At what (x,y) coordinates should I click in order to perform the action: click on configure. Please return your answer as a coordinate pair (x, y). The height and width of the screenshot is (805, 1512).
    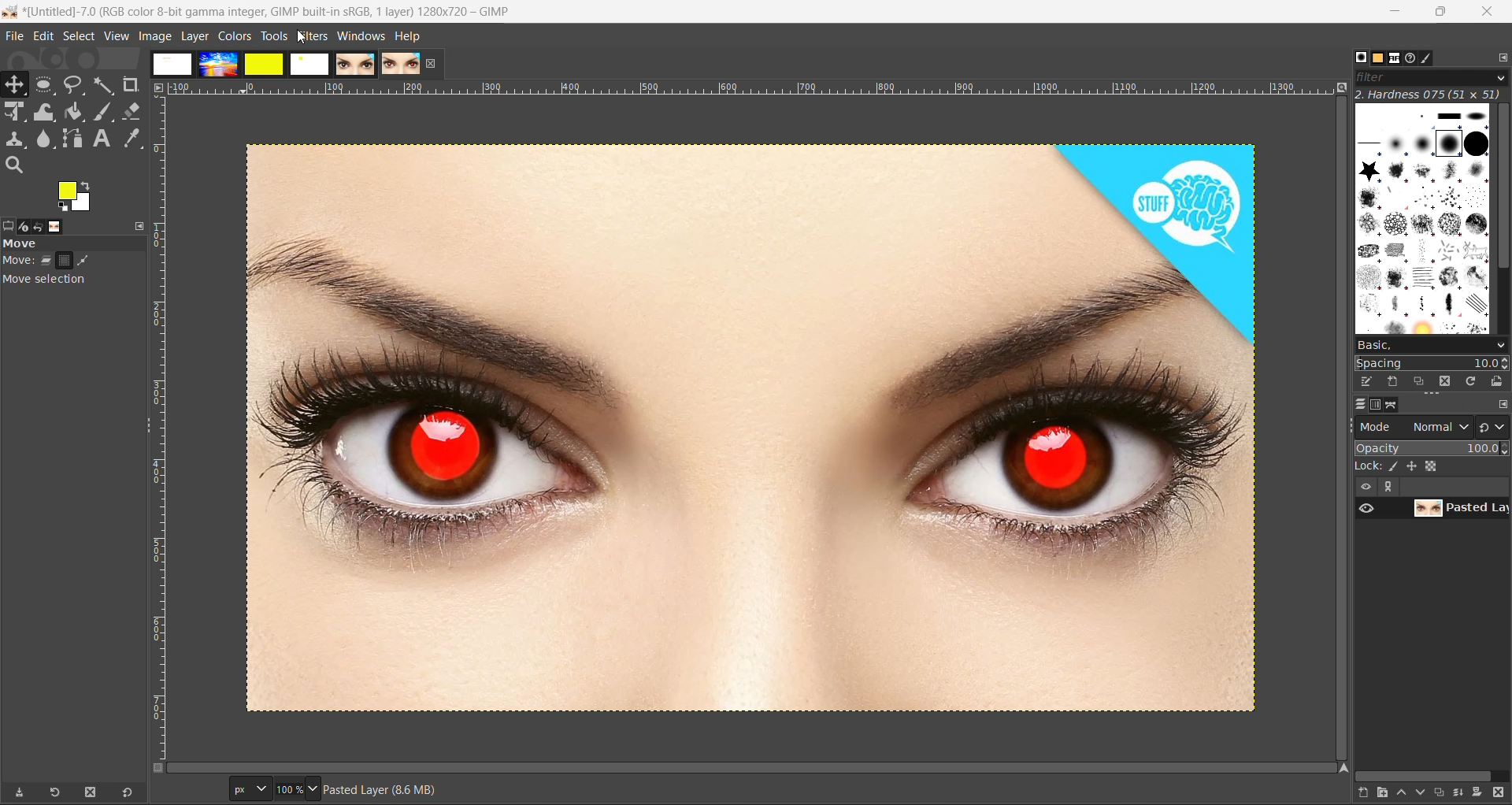
    Looking at the image, I should click on (1503, 57).